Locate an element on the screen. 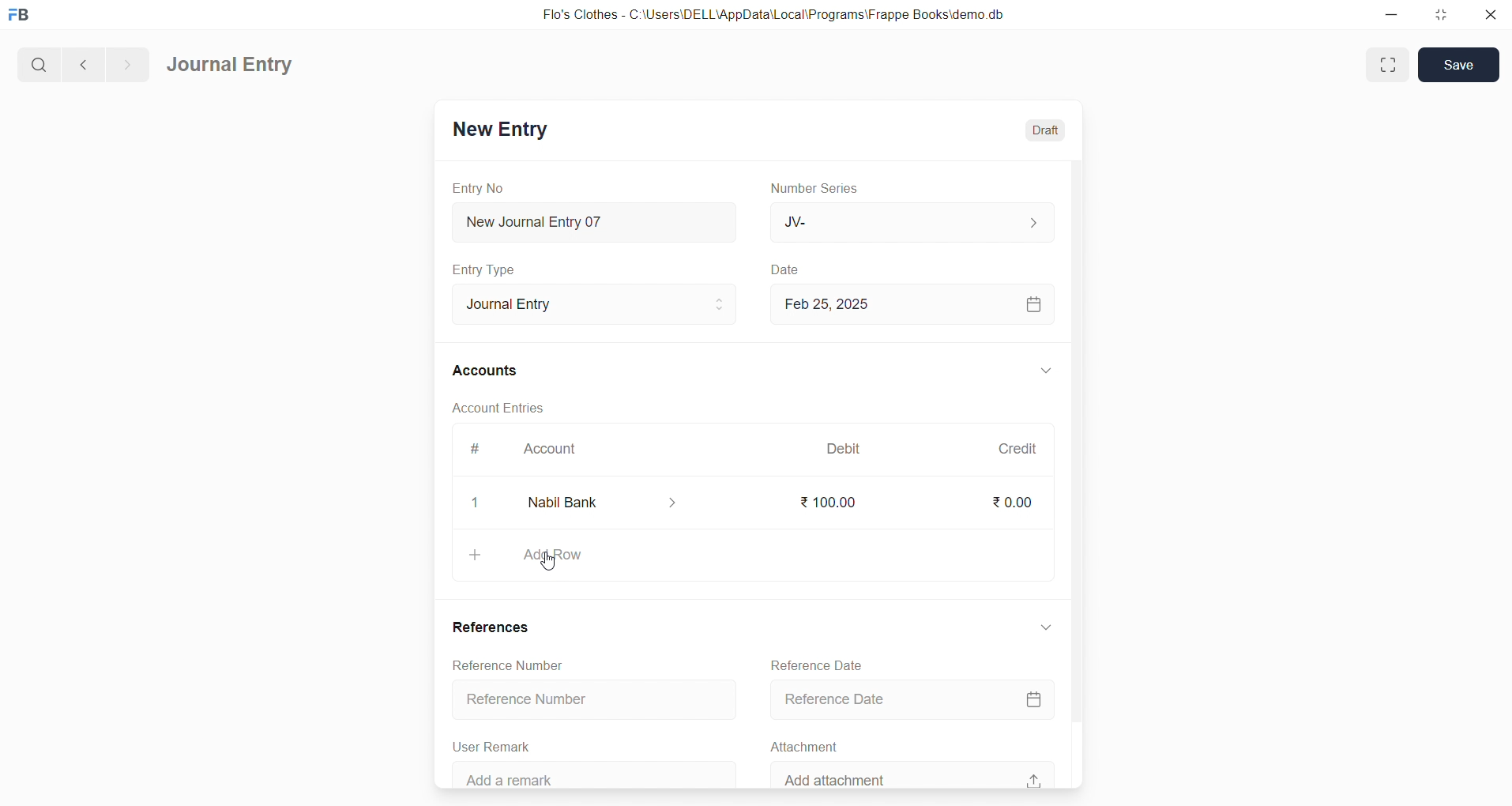  Number Series is located at coordinates (819, 189).